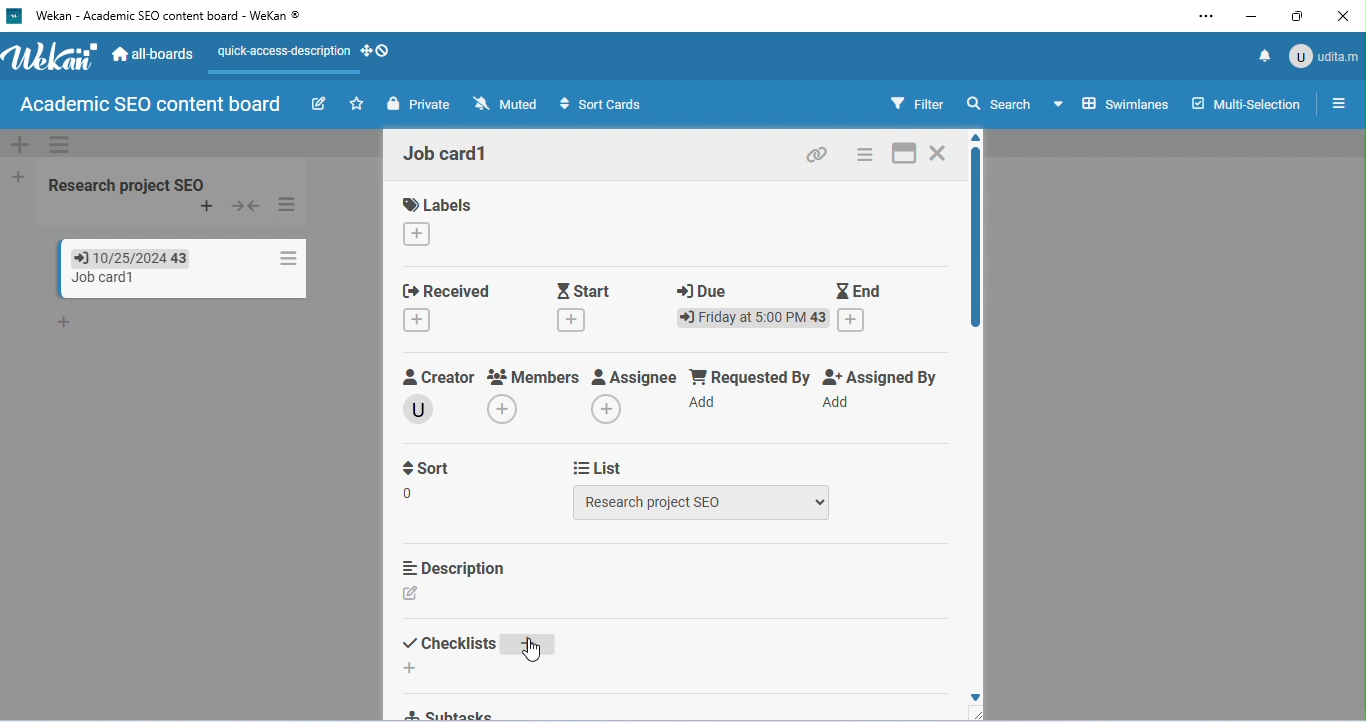 The image size is (1366, 722). Describe the element at coordinates (534, 377) in the screenshot. I see `members` at that location.